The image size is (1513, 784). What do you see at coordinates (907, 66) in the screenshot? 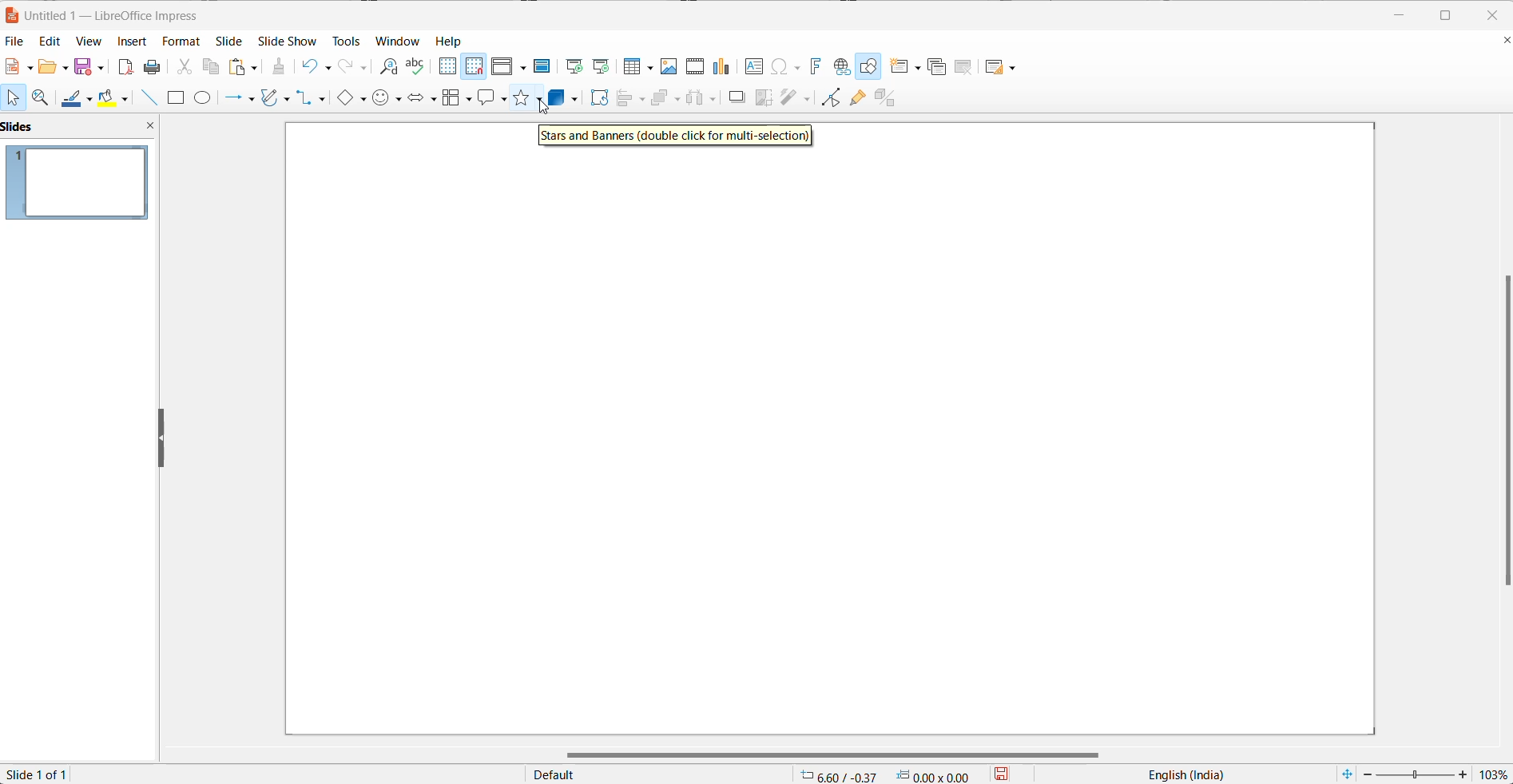
I see `NEW SLIDE` at bounding box center [907, 66].